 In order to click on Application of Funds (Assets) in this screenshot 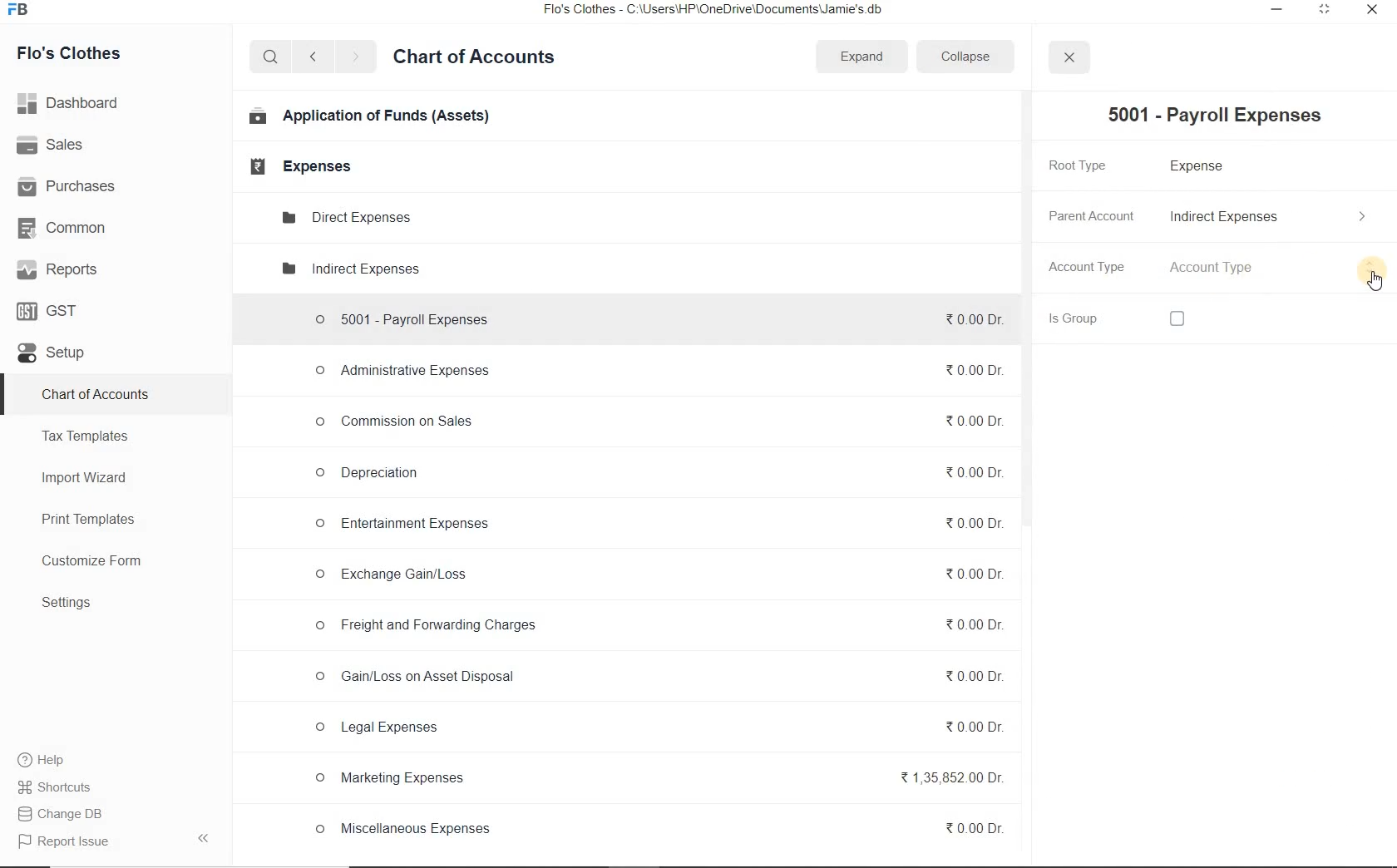, I will do `click(370, 117)`.